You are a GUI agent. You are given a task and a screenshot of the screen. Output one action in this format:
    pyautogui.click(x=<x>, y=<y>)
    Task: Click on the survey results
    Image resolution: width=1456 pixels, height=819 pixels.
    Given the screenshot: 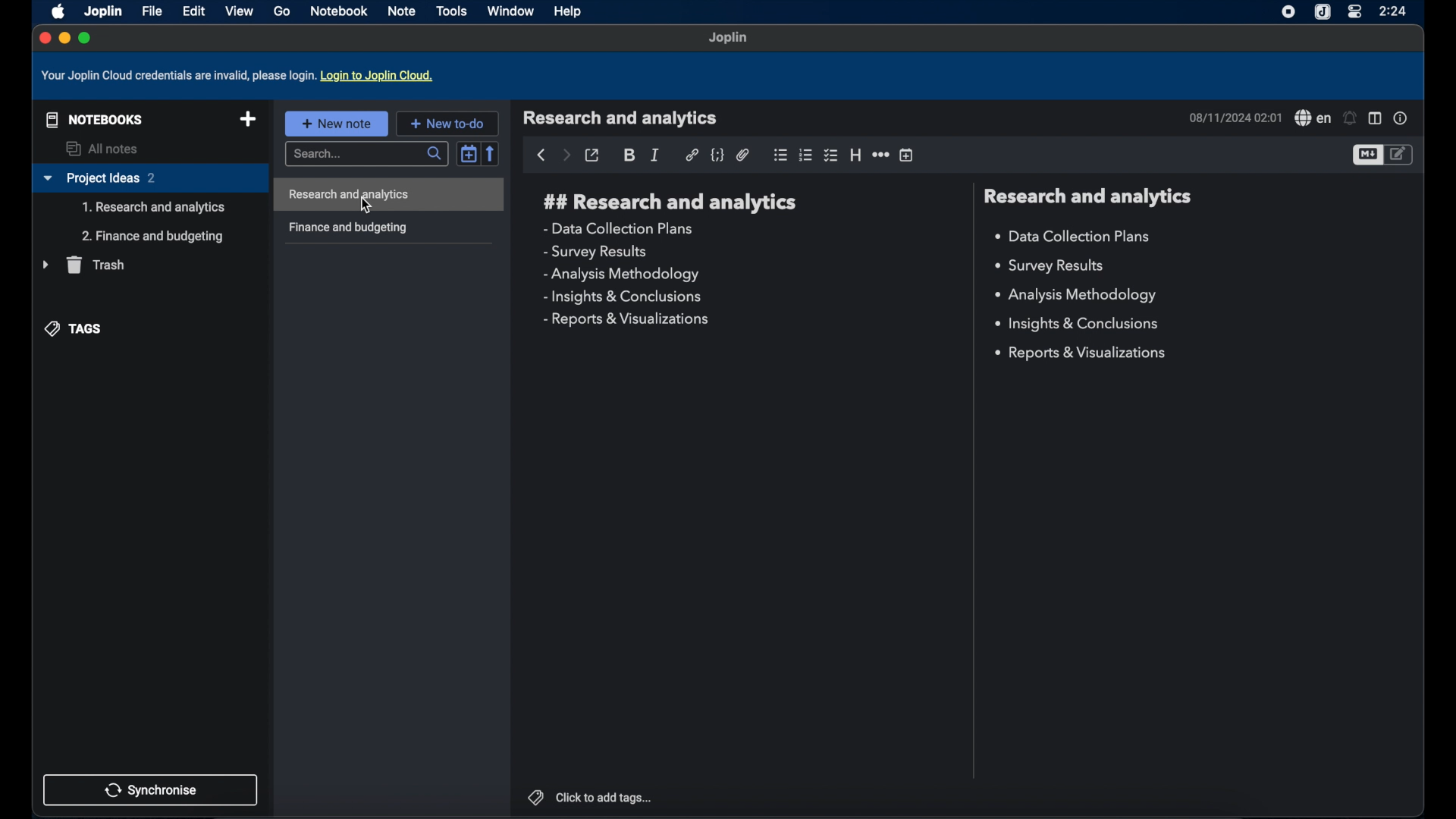 What is the action you would take?
    pyautogui.click(x=595, y=253)
    